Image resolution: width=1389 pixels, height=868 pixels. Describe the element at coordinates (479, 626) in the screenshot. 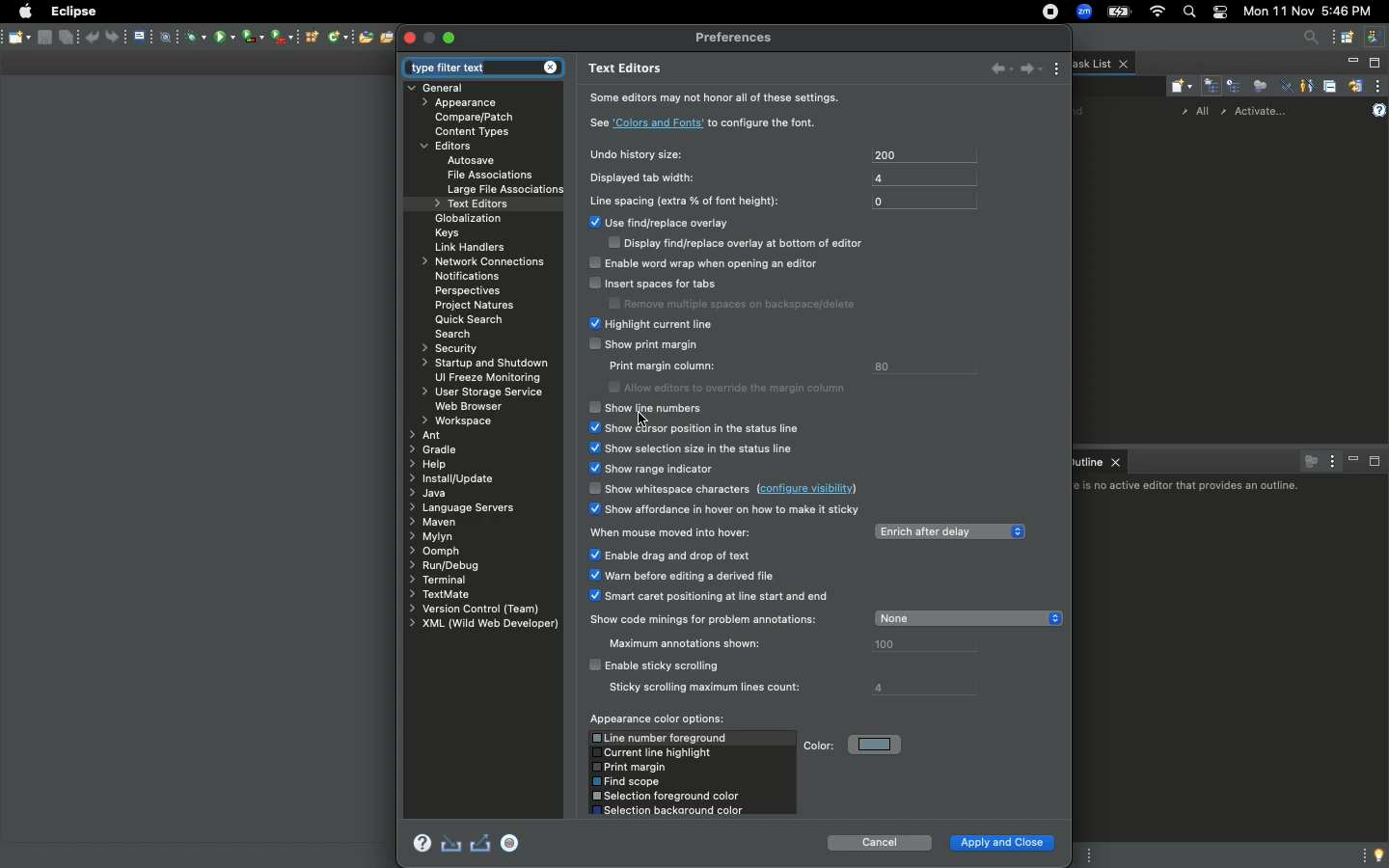

I see `XML` at that location.